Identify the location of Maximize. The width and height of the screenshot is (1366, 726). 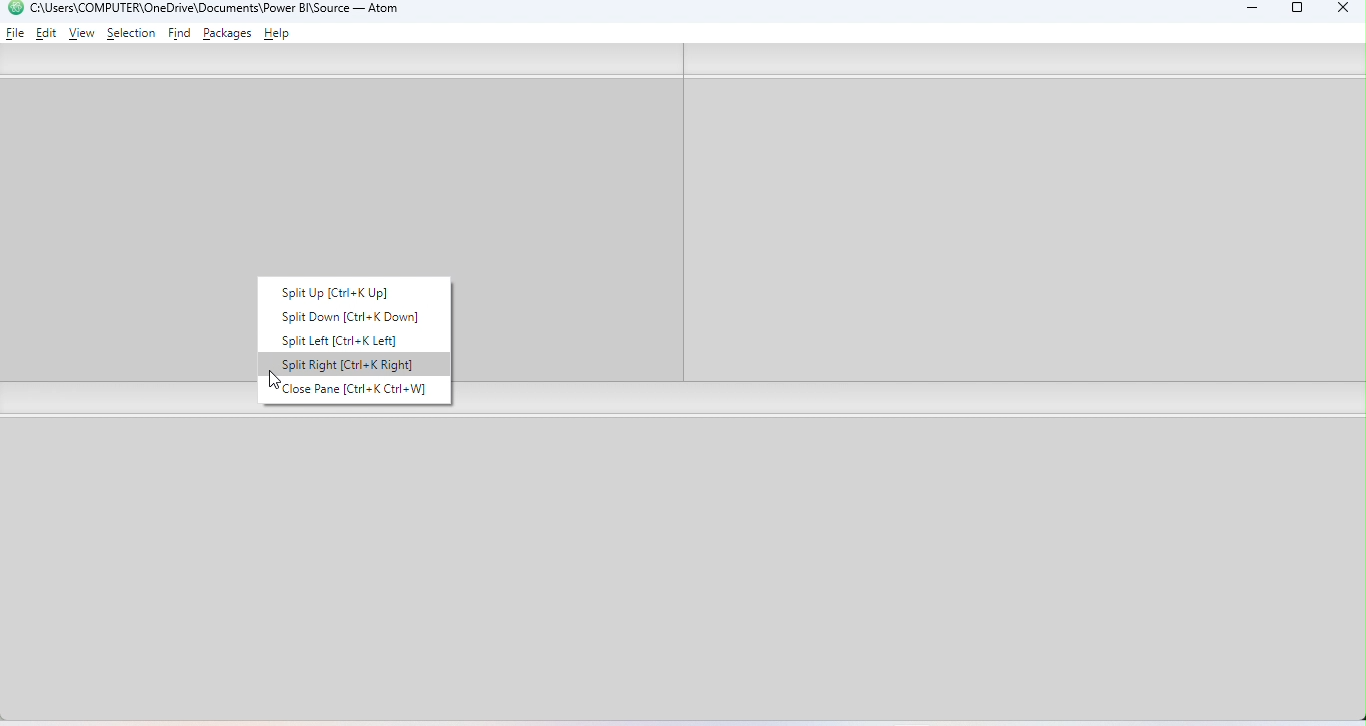
(1298, 11).